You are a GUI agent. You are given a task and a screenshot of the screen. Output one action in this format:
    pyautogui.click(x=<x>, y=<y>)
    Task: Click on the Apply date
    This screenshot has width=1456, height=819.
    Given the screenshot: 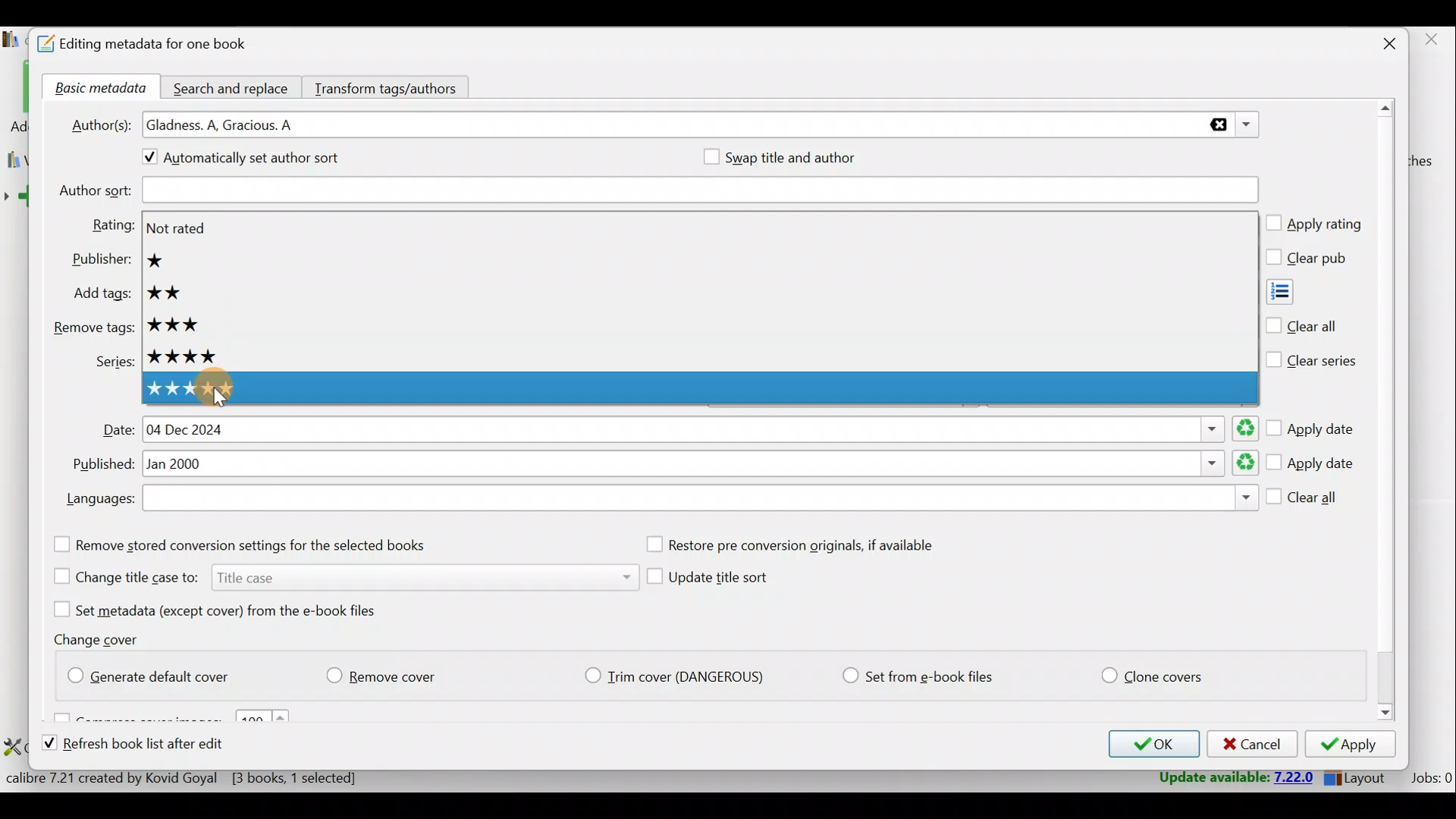 What is the action you would take?
    pyautogui.click(x=1313, y=424)
    